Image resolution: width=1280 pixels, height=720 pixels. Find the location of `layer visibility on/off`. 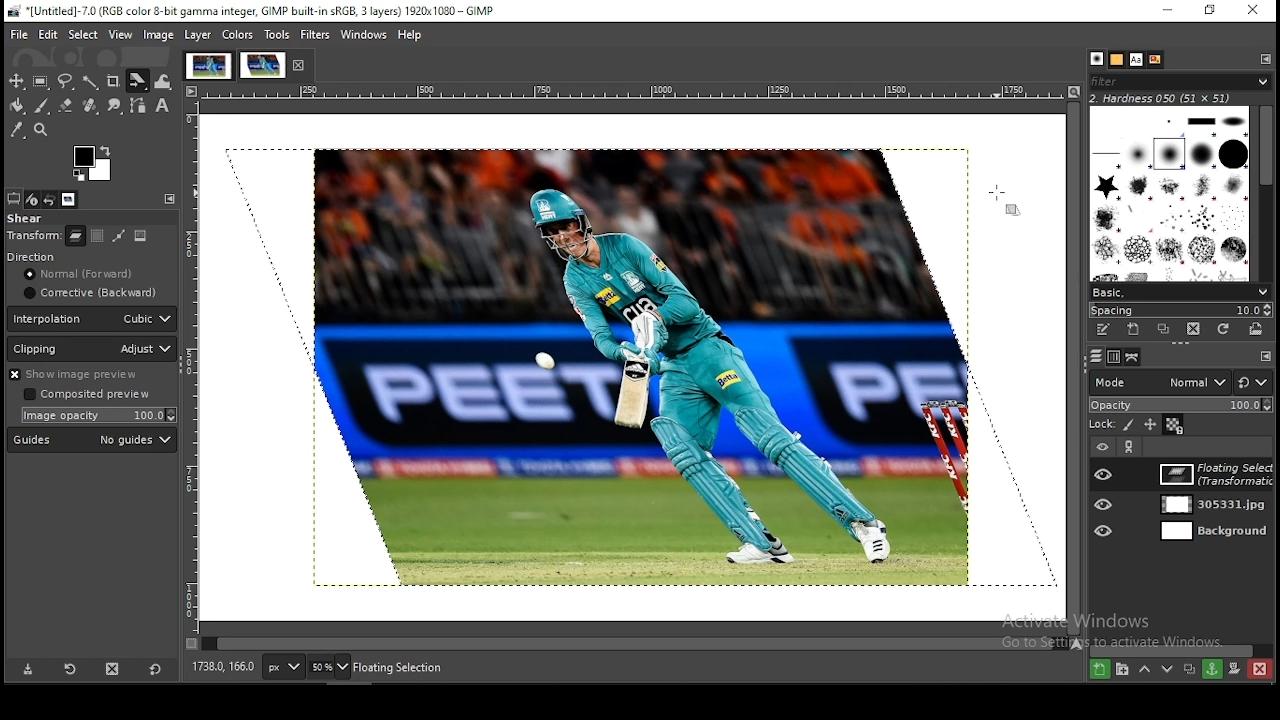

layer visibility on/off is located at coordinates (1102, 473).